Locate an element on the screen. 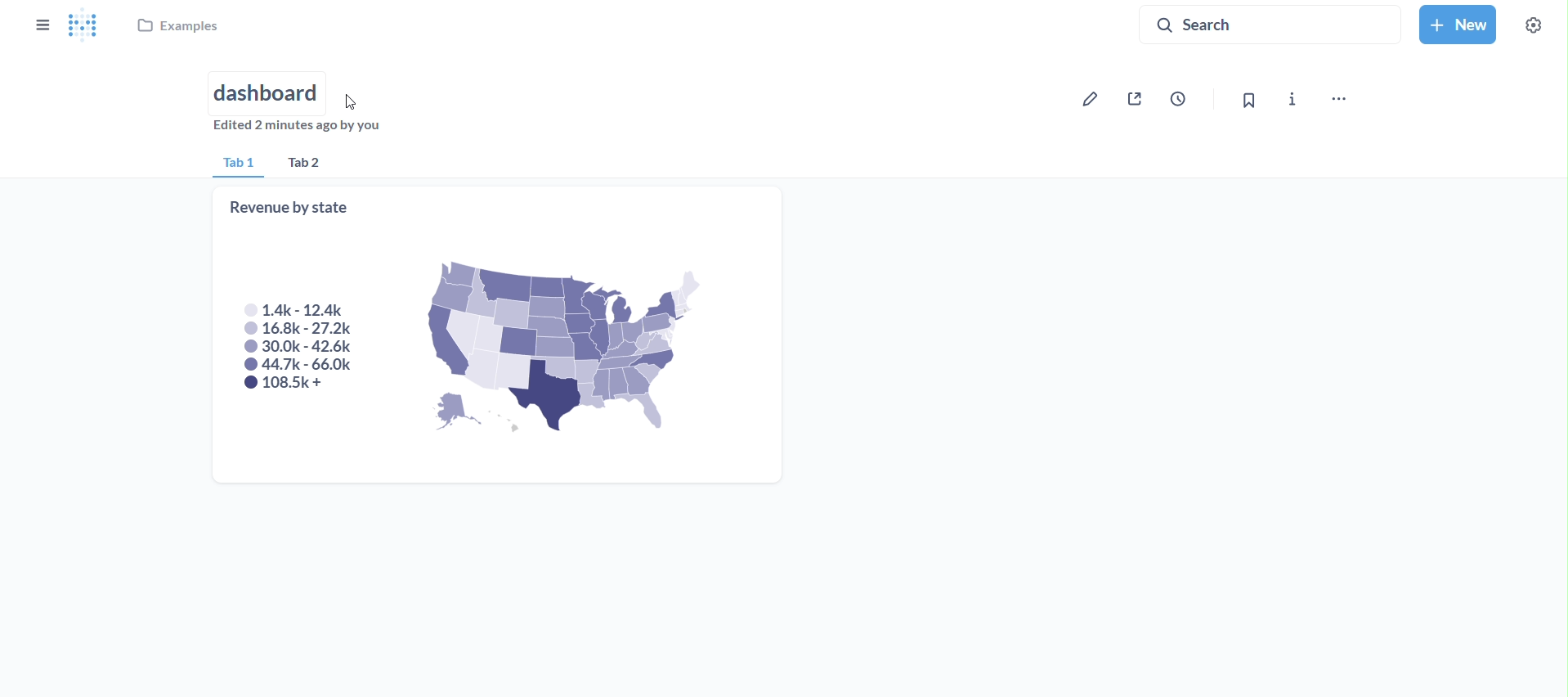  sharing is located at coordinates (1139, 99).